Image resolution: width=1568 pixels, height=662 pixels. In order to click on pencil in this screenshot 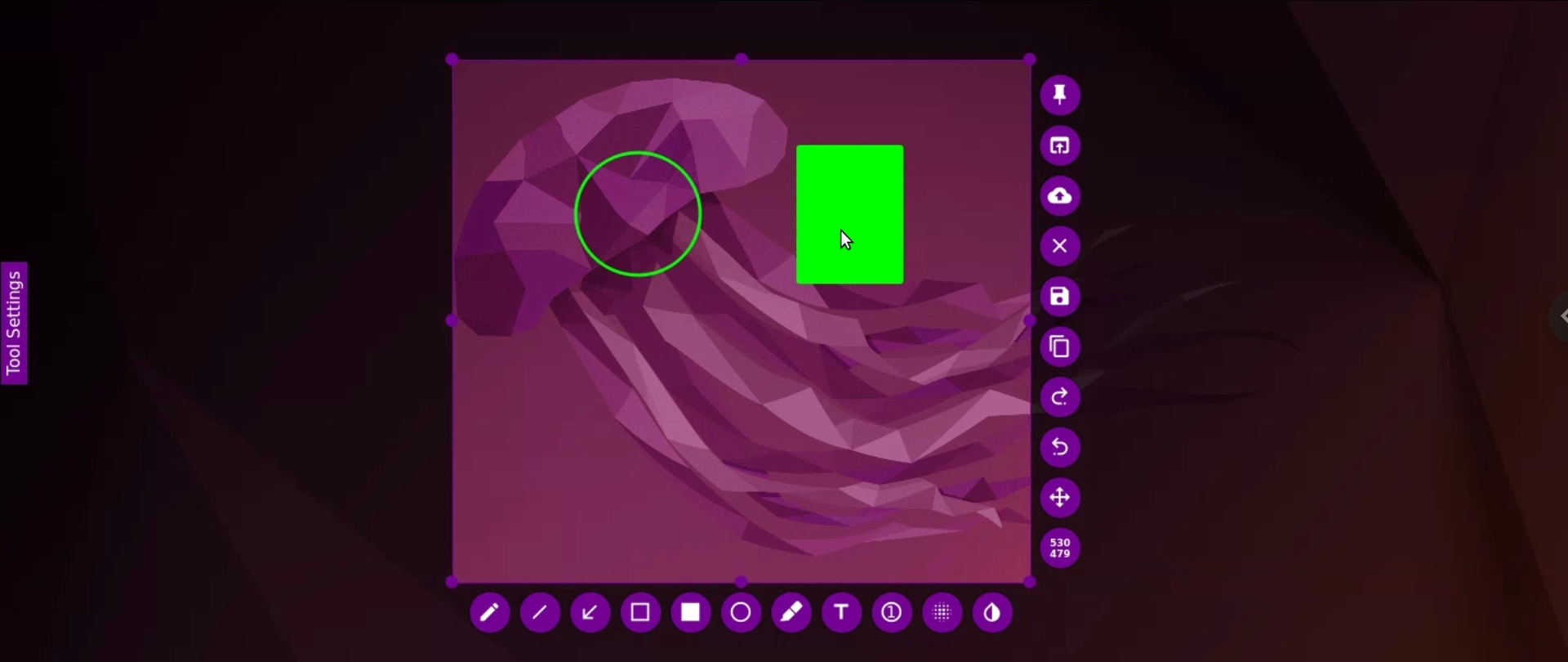, I will do `click(492, 613)`.